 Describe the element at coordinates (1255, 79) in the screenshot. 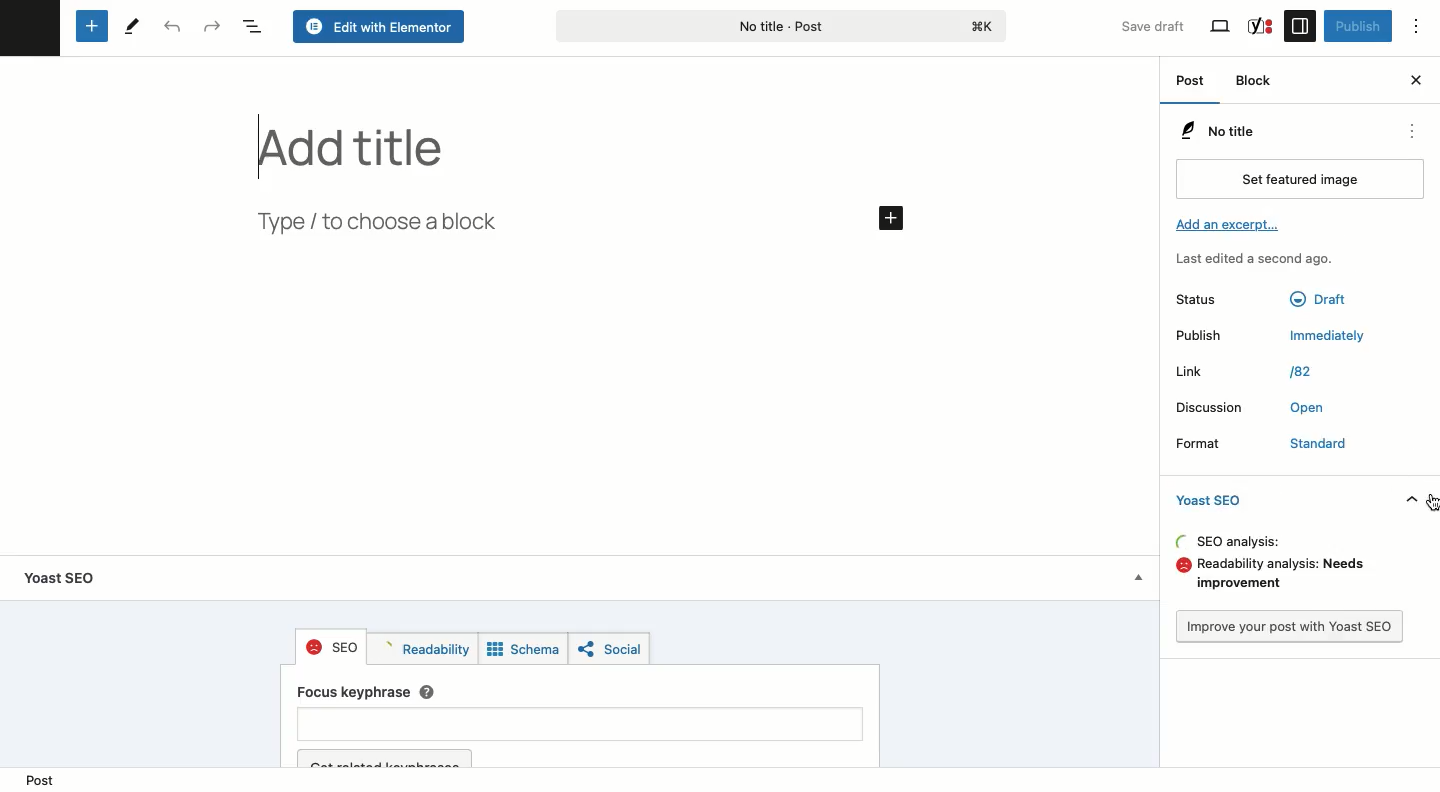

I see `Block` at that location.